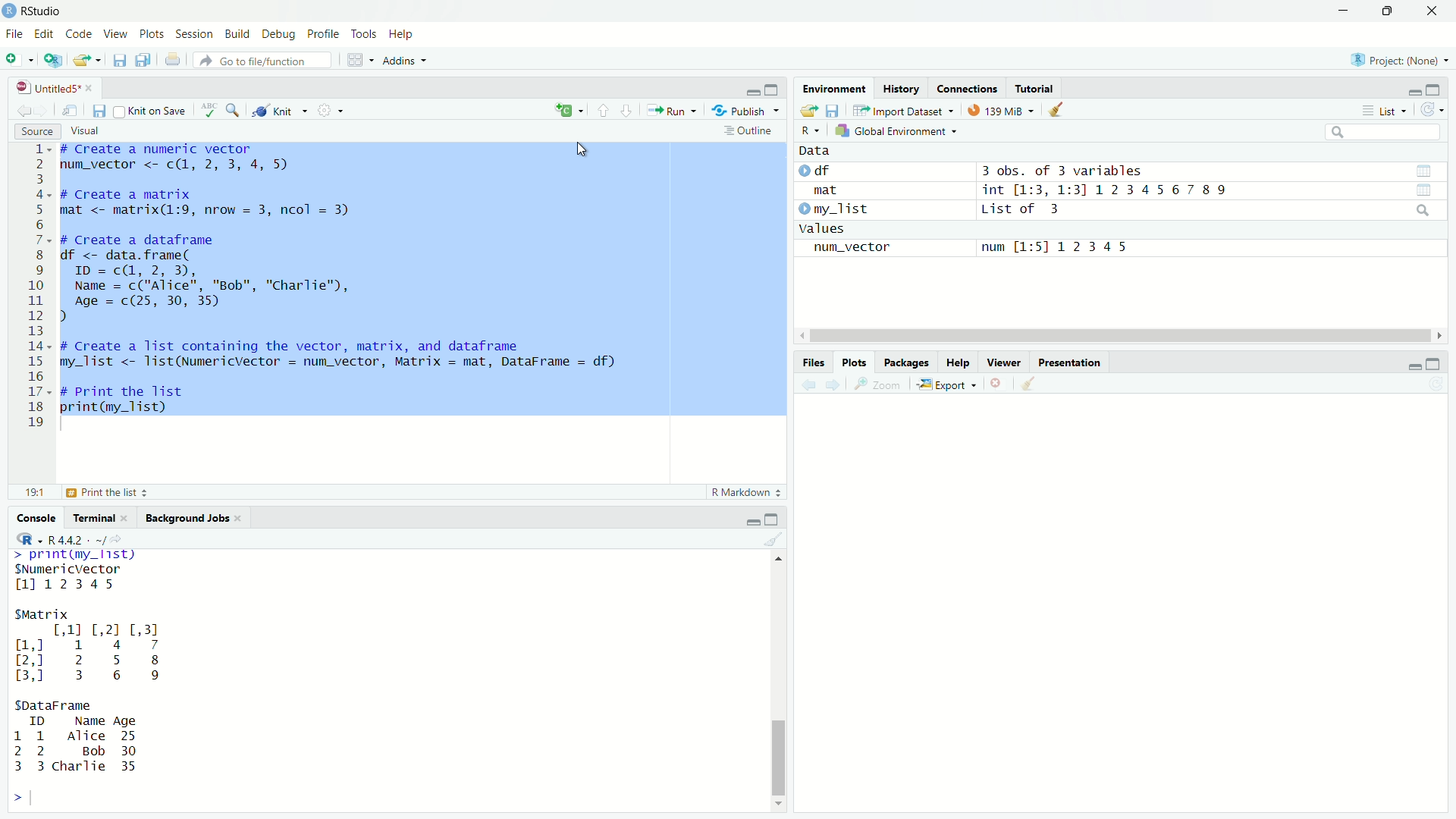  Describe the element at coordinates (806, 111) in the screenshot. I see `export` at that location.